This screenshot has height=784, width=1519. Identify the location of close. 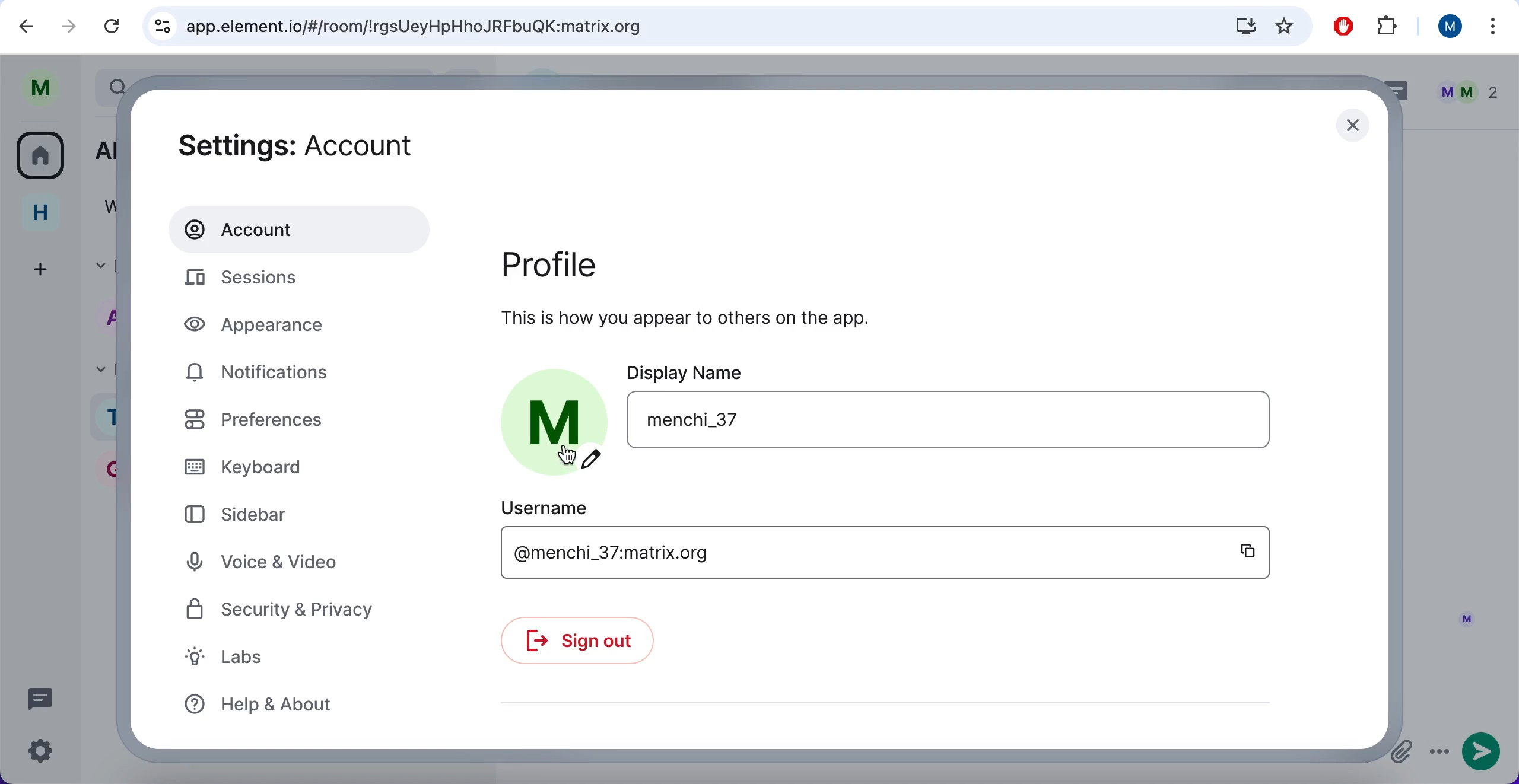
(1353, 125).